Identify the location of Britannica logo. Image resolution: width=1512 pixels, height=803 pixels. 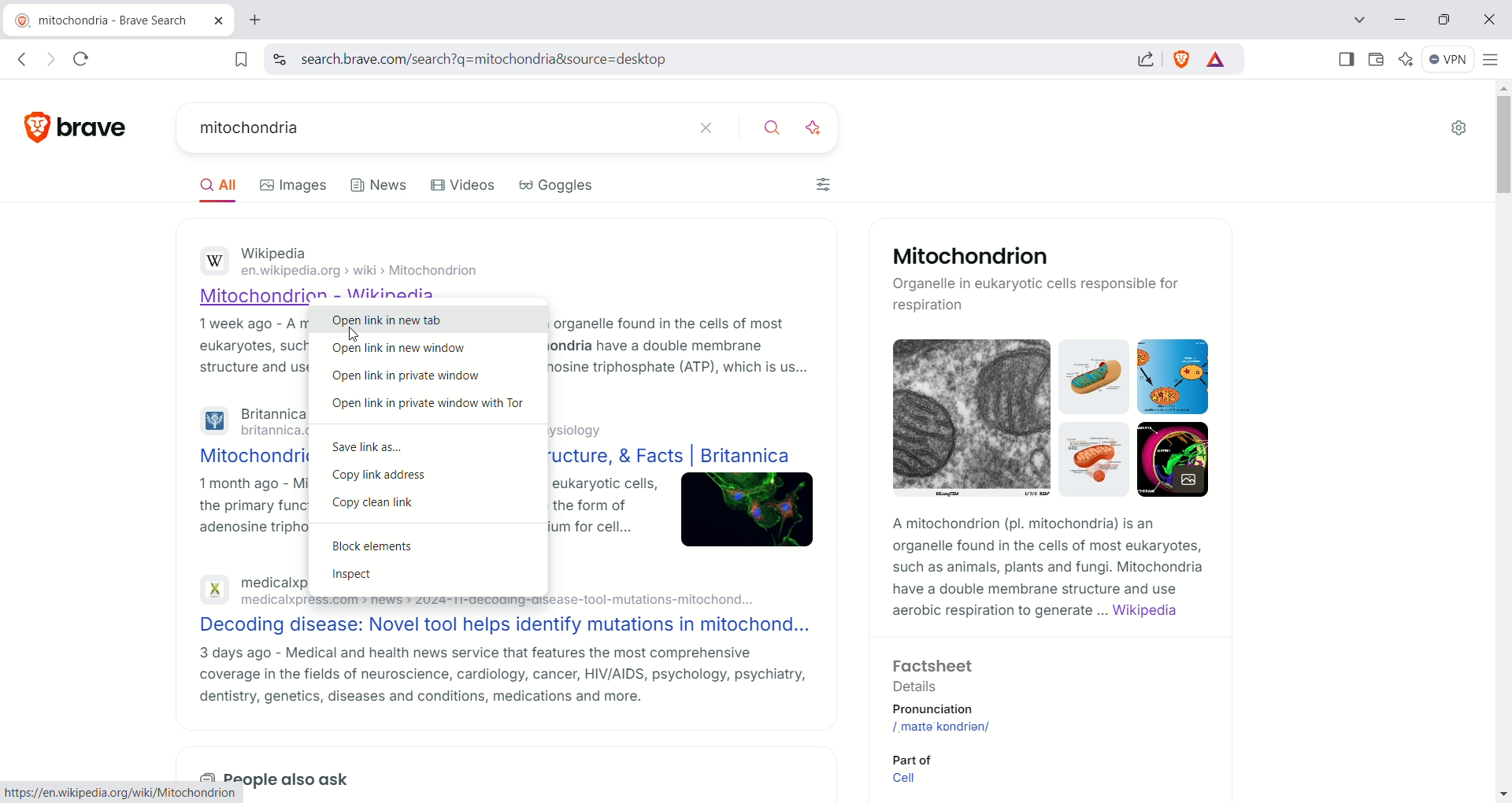
(216, 420).